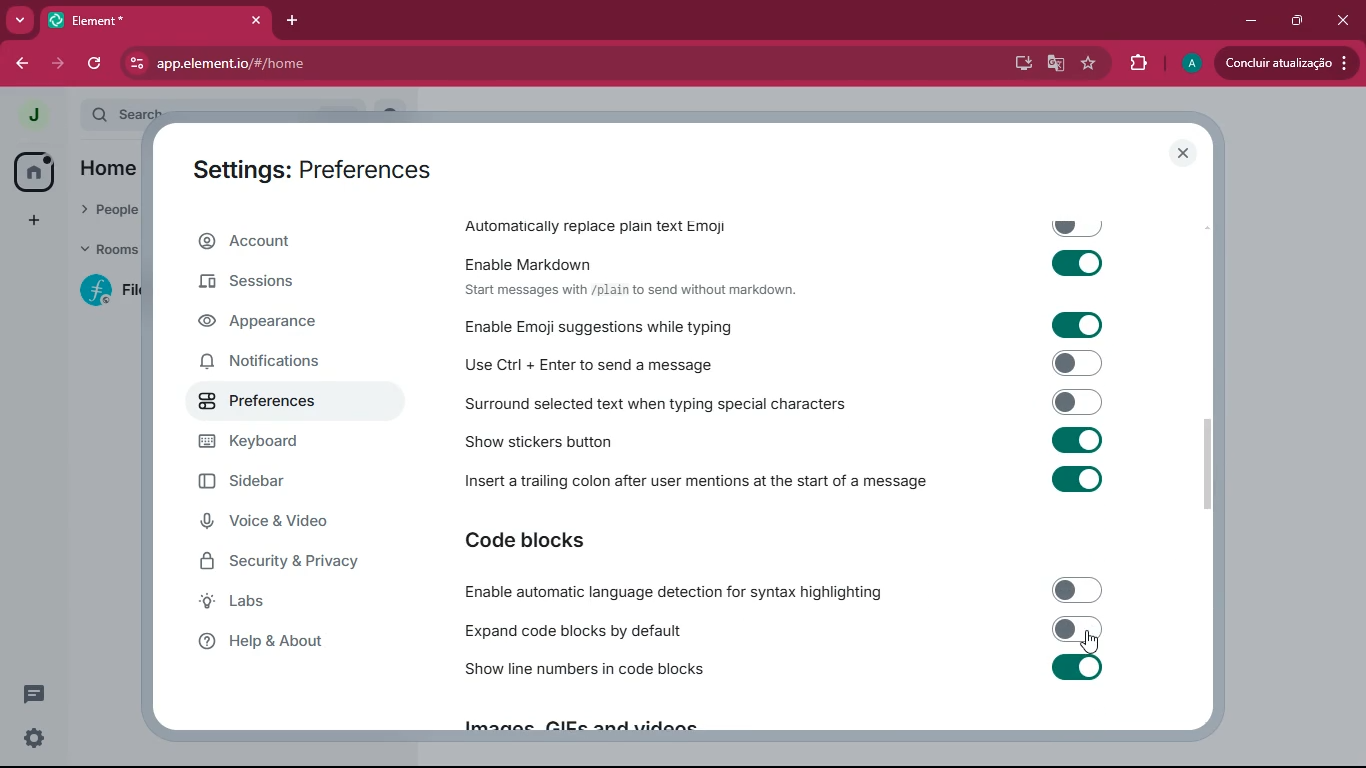 The image size is (1366, 768). What do you see at coordinates (1219, 464) in the screenshot?
I see `scroll bar` at bounding box center [1219, 464].